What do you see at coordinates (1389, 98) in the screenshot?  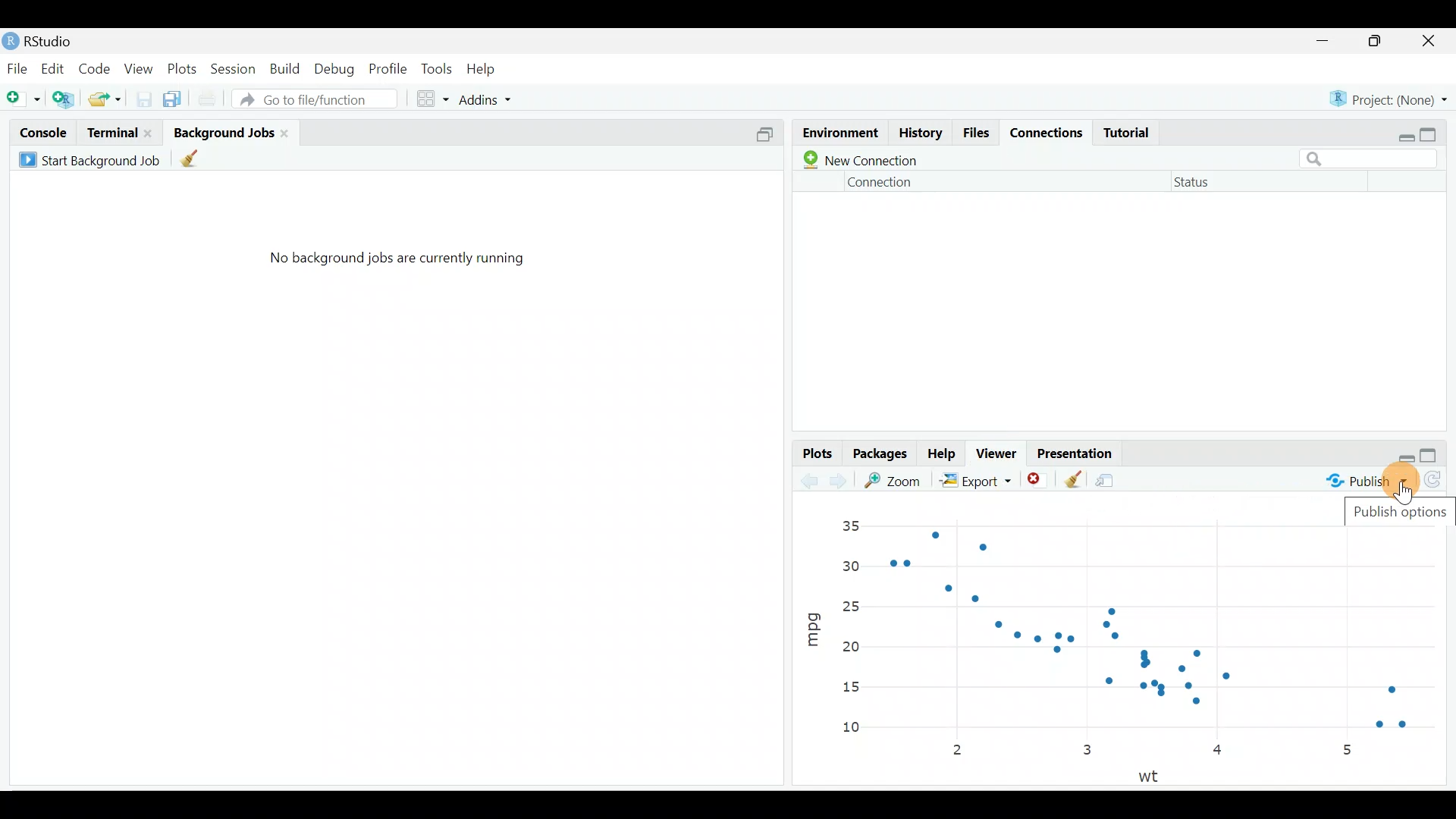 I see `Project (None)` at bounding box center [1389, 98].